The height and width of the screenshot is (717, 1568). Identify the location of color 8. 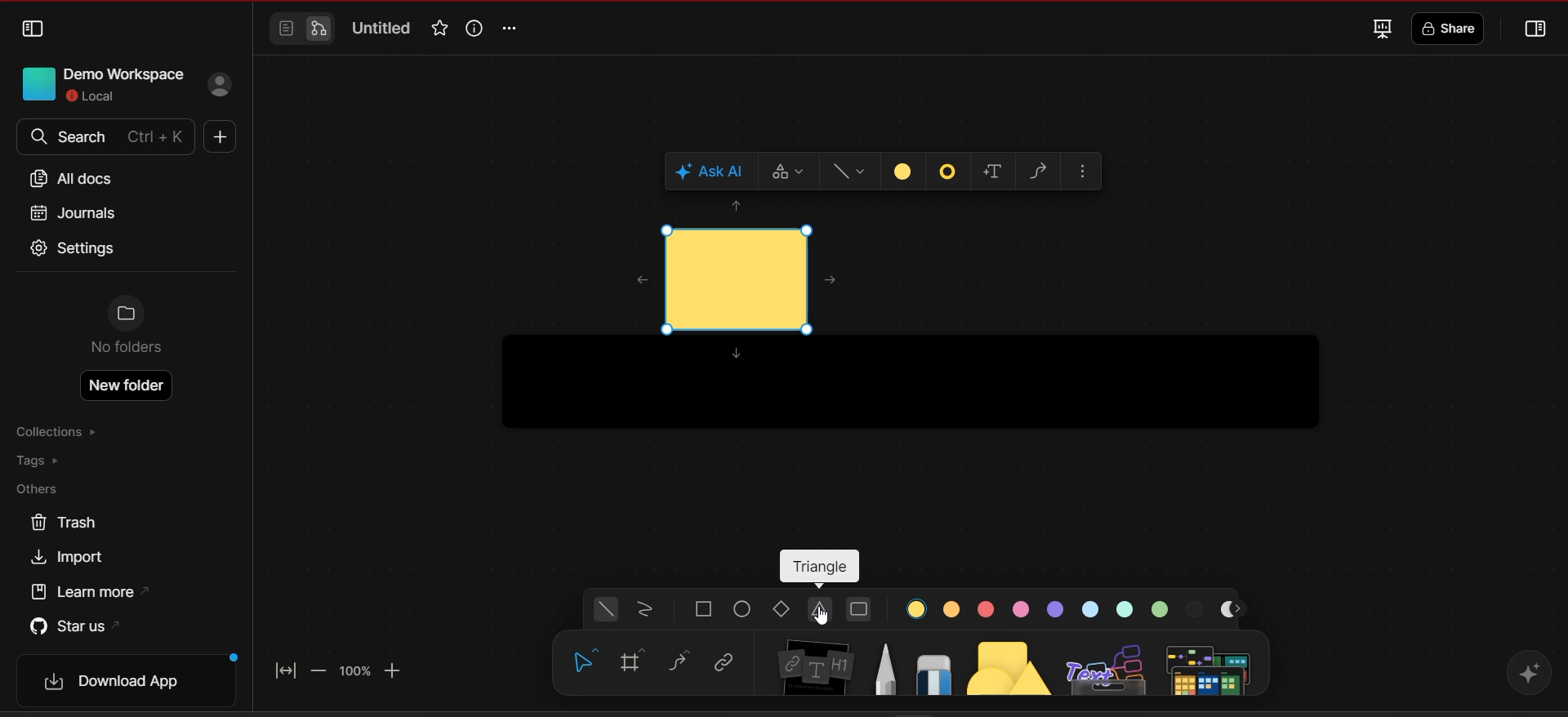
(1162, 608).